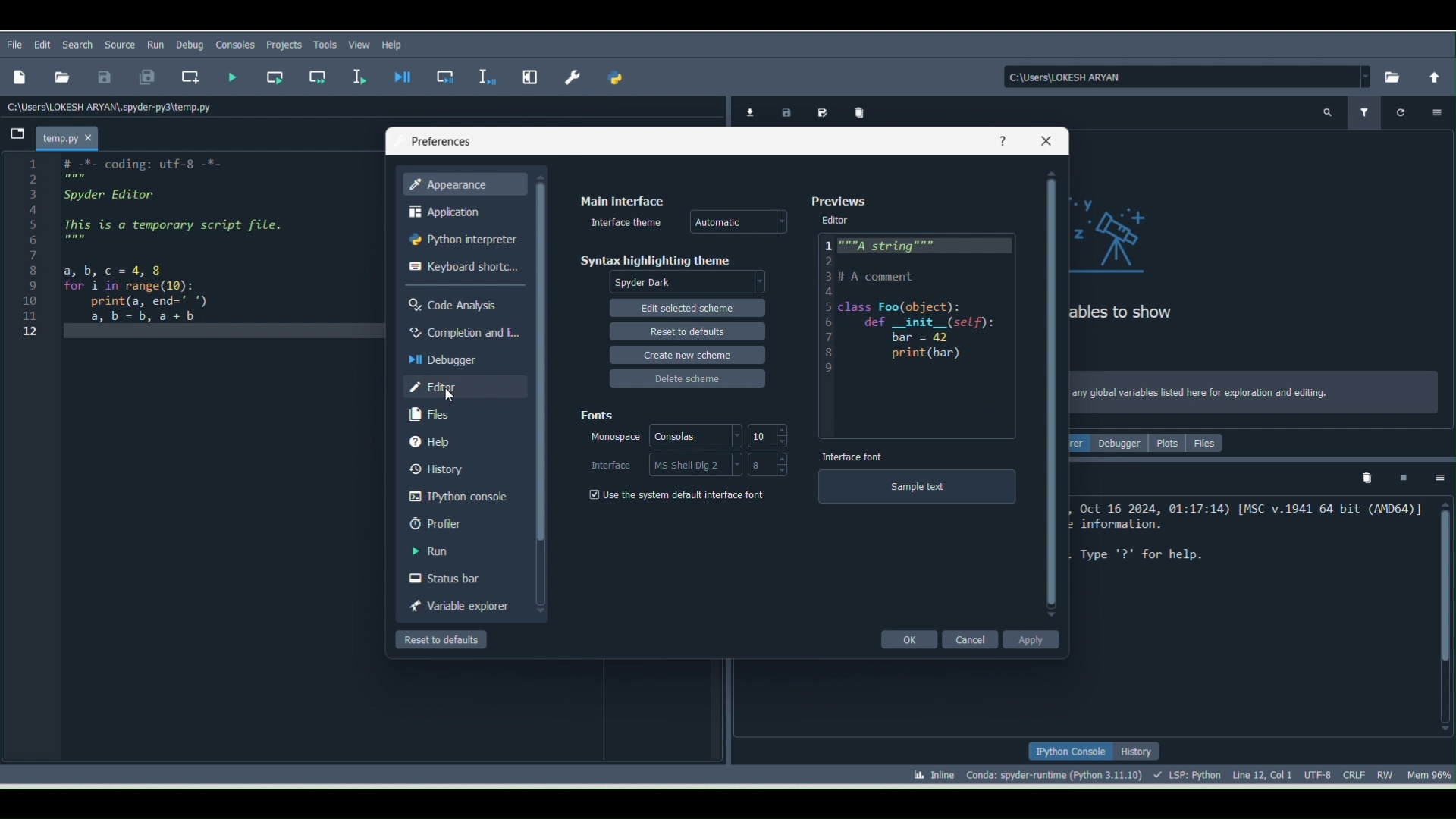  Describe the element at coordinates (1189, 773) in the screenshot. I see `Completions, linting, code folding and symbols status` at that location.